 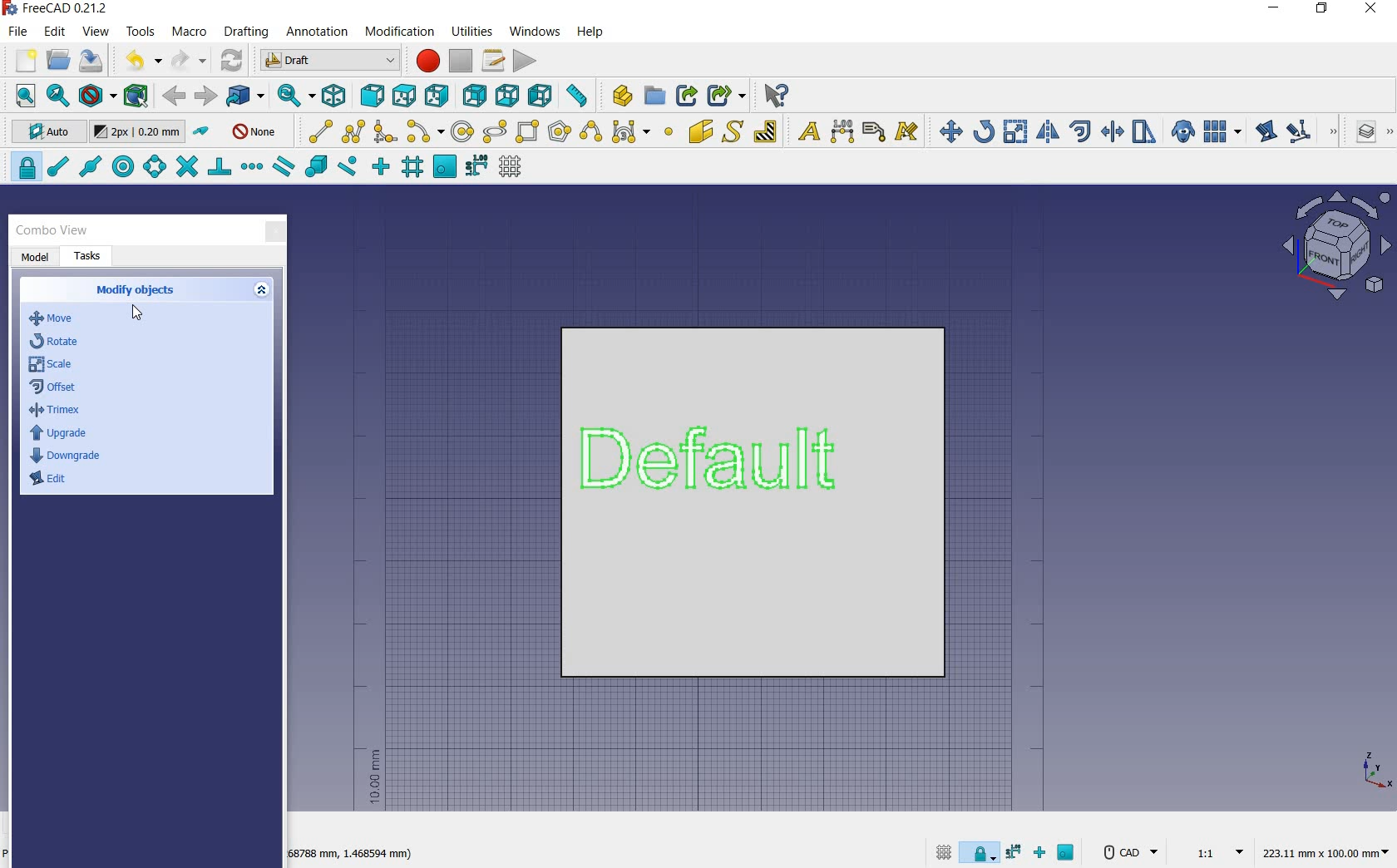 I want to click on snap midpoint, so click(x=89, y=165).